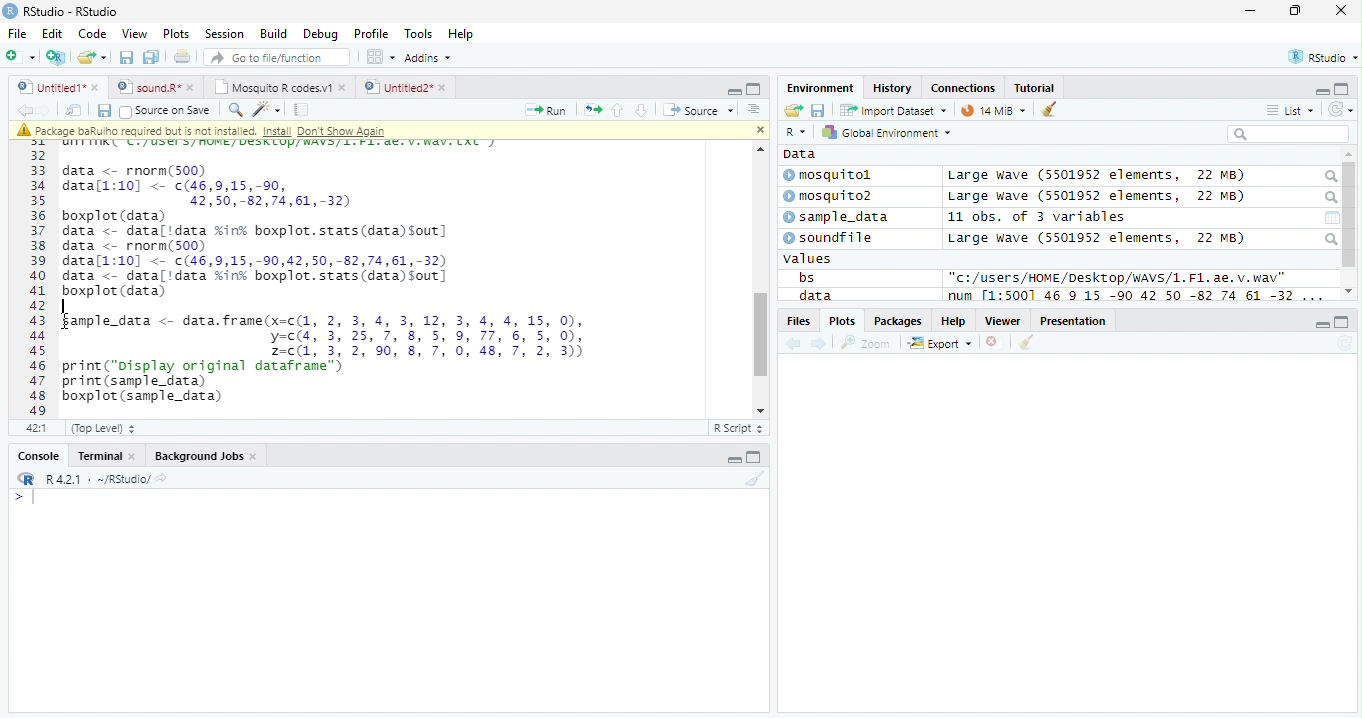  What do you see at coordinates (1096, 176) in the screenshot?
I see `Large wave (5501952 elements, 22 MB)` at bounding box center [1096, 176].